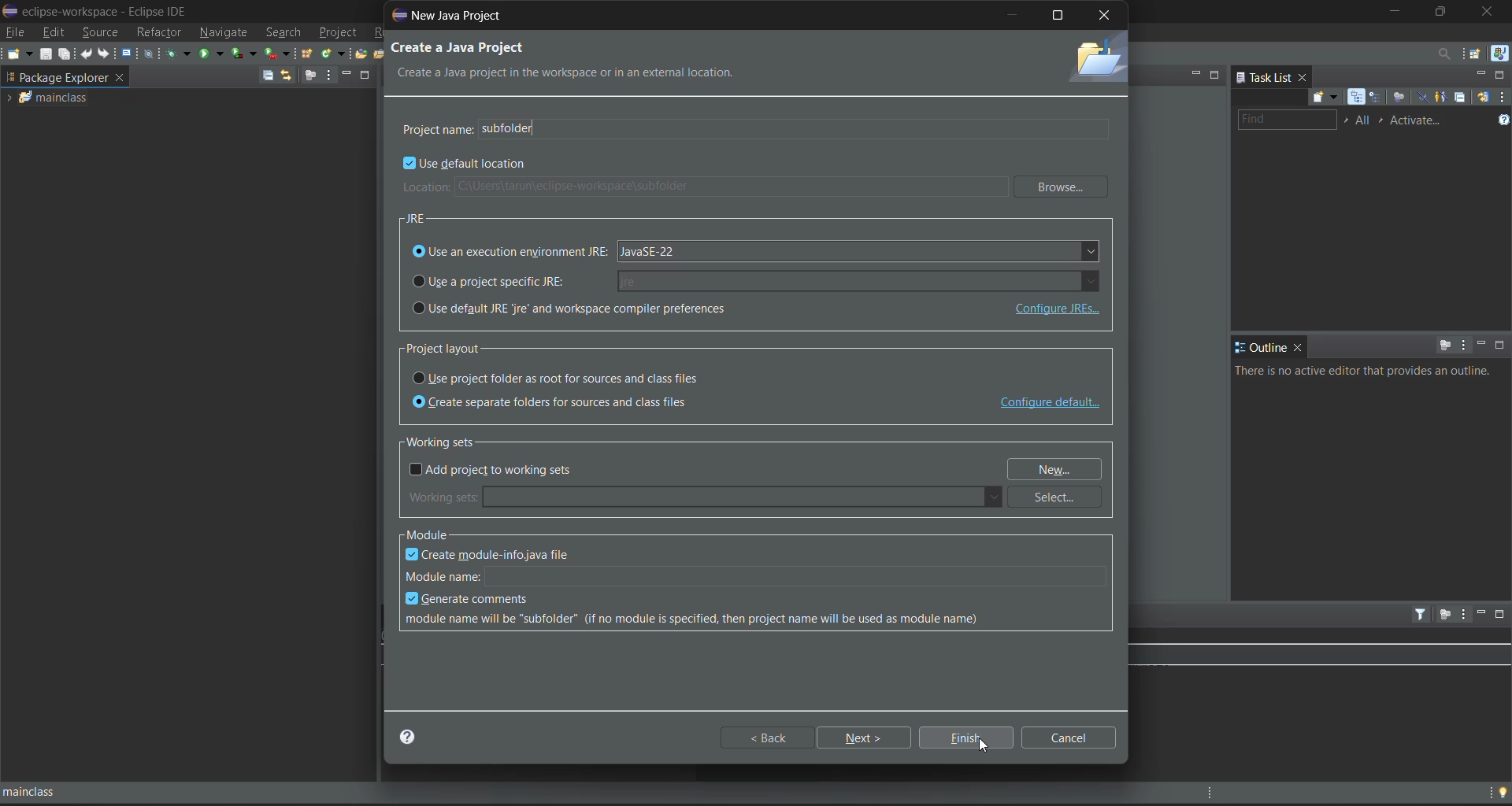  What do you see at coordinates (1287, 120) in the screenshot?
I see `find` at bounding box center [1287, 120].